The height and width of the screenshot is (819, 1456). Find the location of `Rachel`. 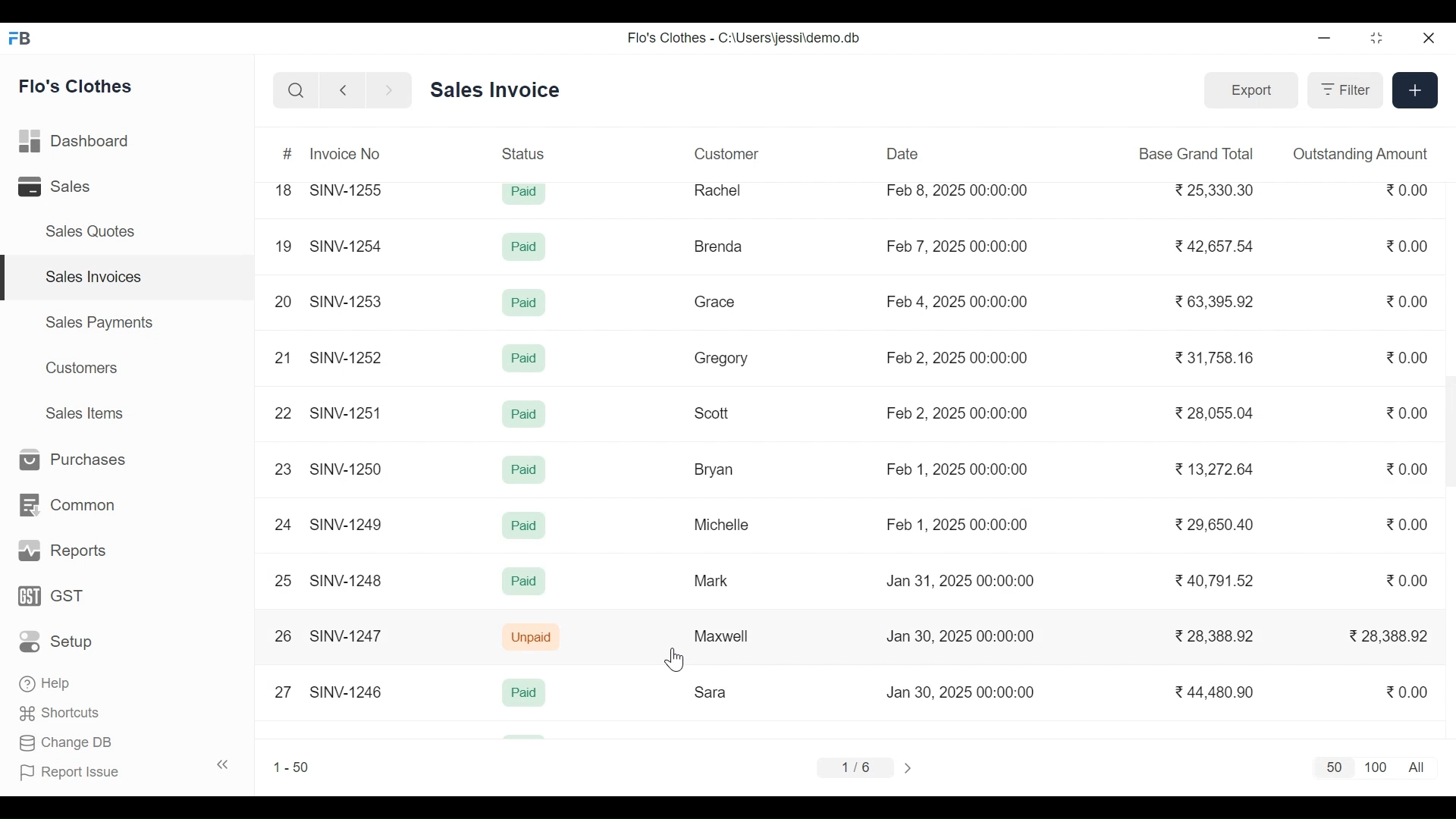

Rachel is located at coordinates (719, 190).